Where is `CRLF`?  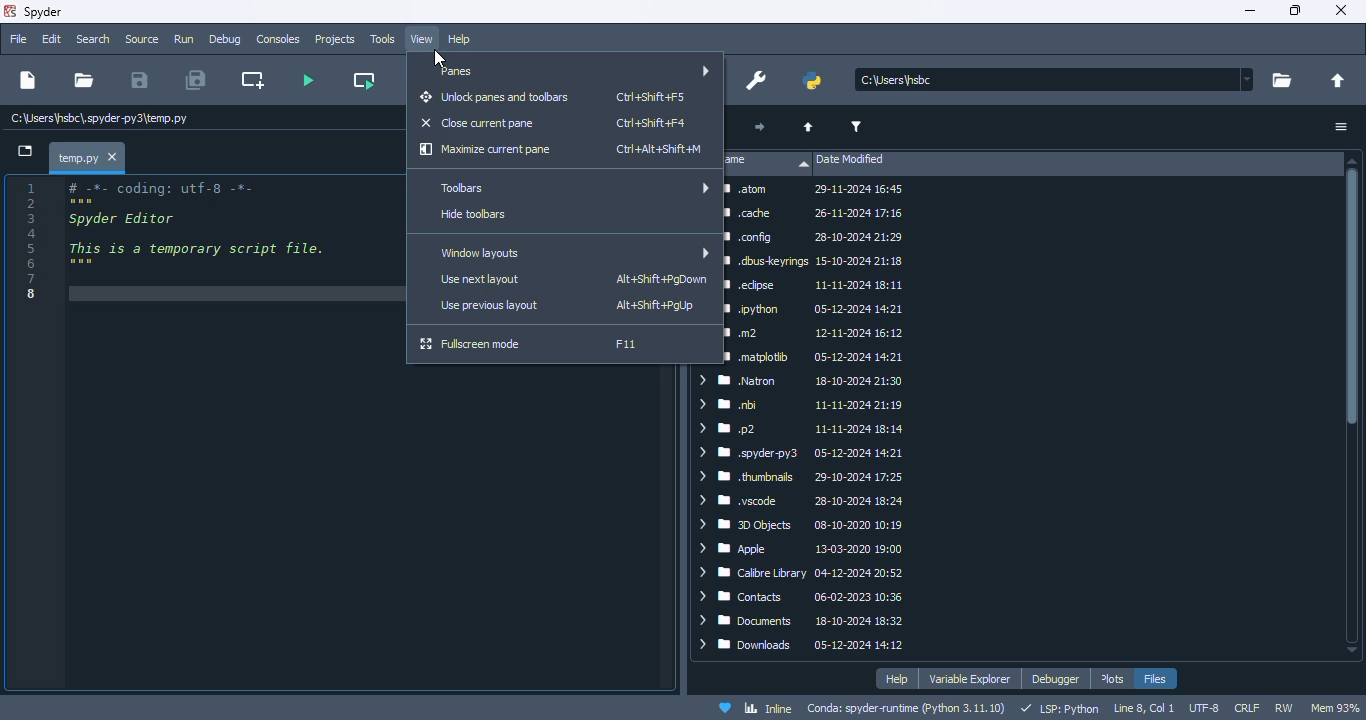 CRLF is located at coordinates (1246, 707).